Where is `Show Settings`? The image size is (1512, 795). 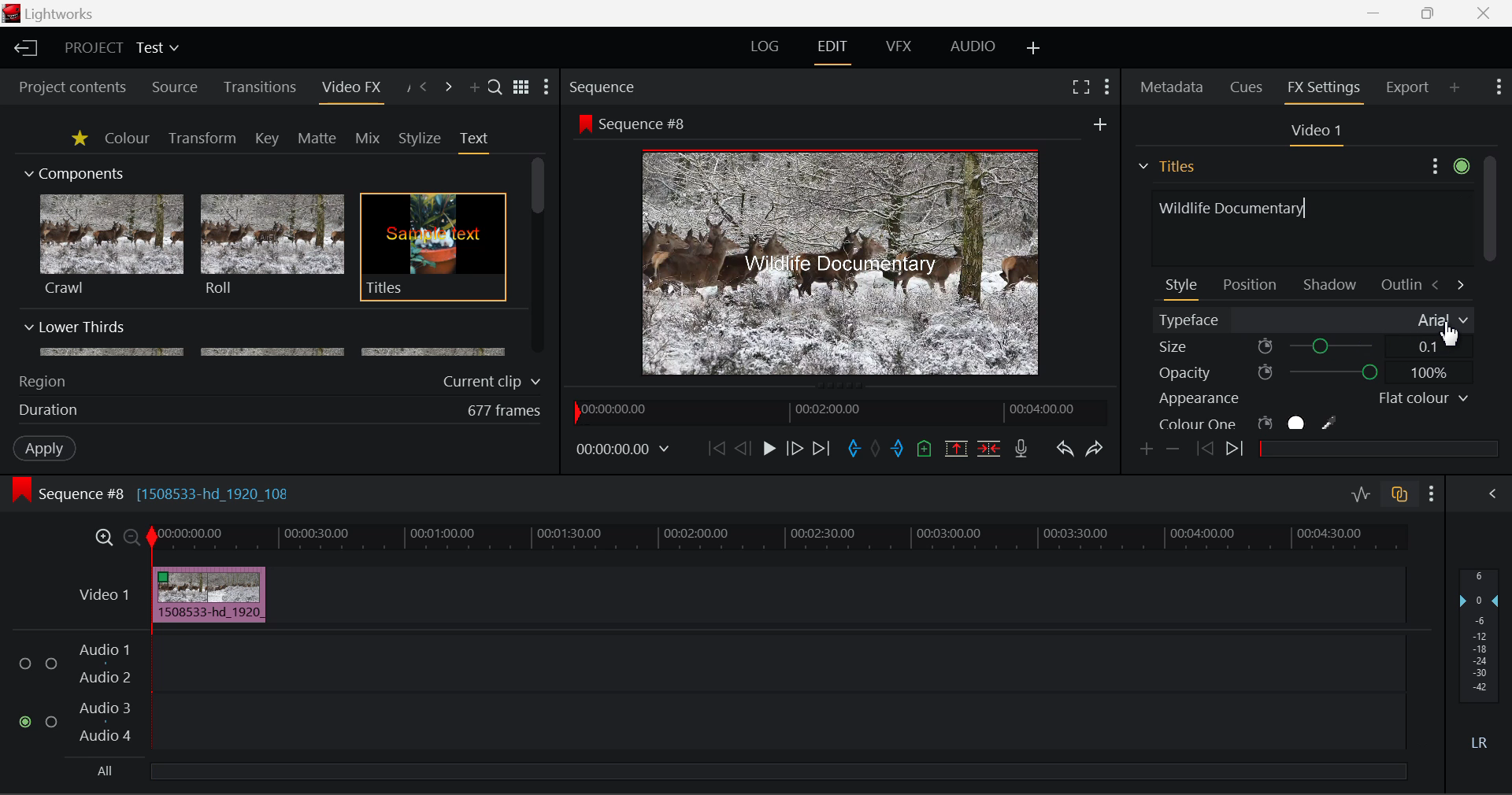
Show Settings is located at coordinates (547, 87).